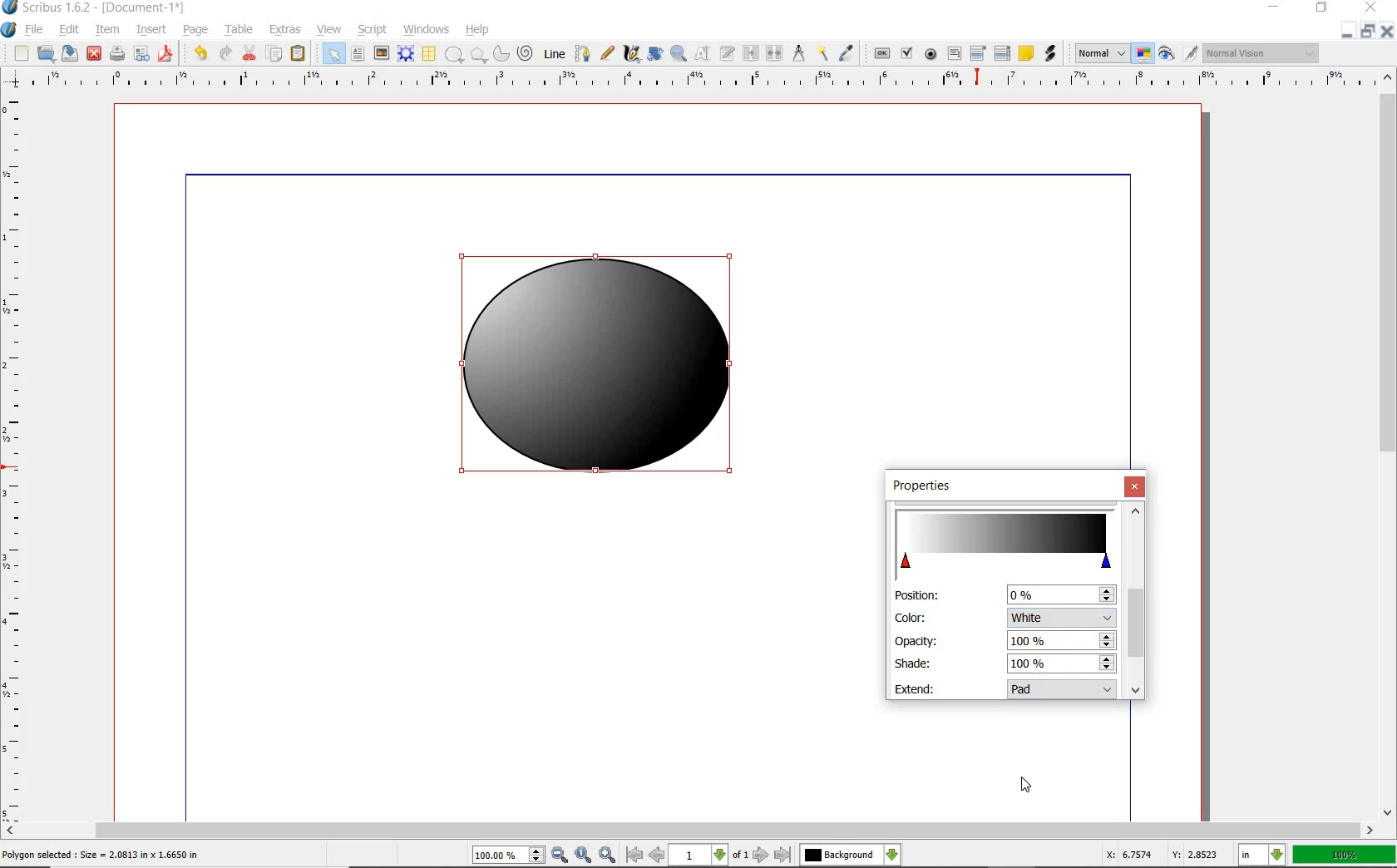 The height and width of the screenshot is (868, 1397). What do you see at coordinates (1346, 32) in the screenshot?
I see `MINIMIZE` at bounding box center [1346, 32].